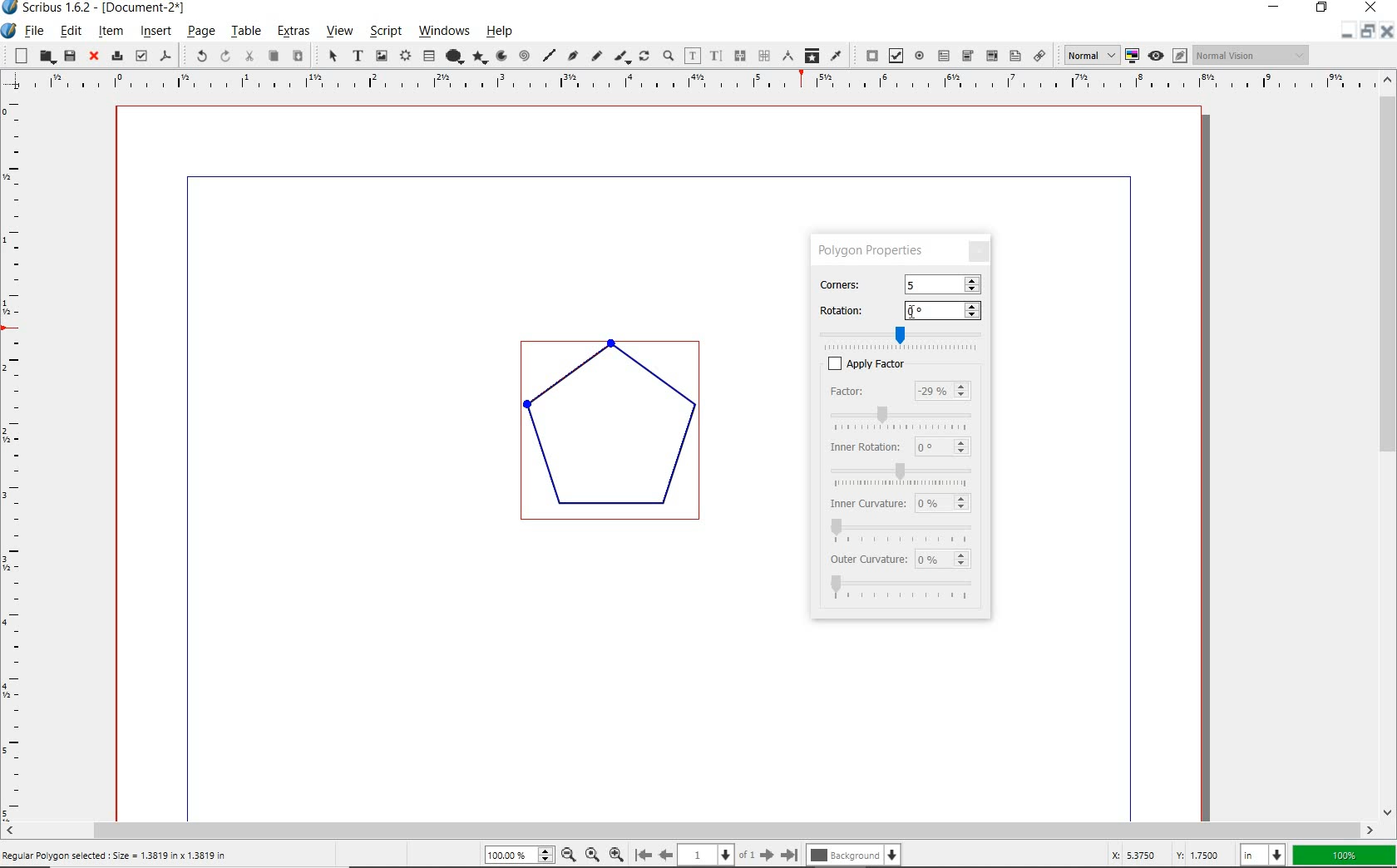 This screenshot has width=1397, height=868. What do you see at coordinates (854, 310) in the screenshot?
I see `ROTATION` at bounding box center [854, 310].